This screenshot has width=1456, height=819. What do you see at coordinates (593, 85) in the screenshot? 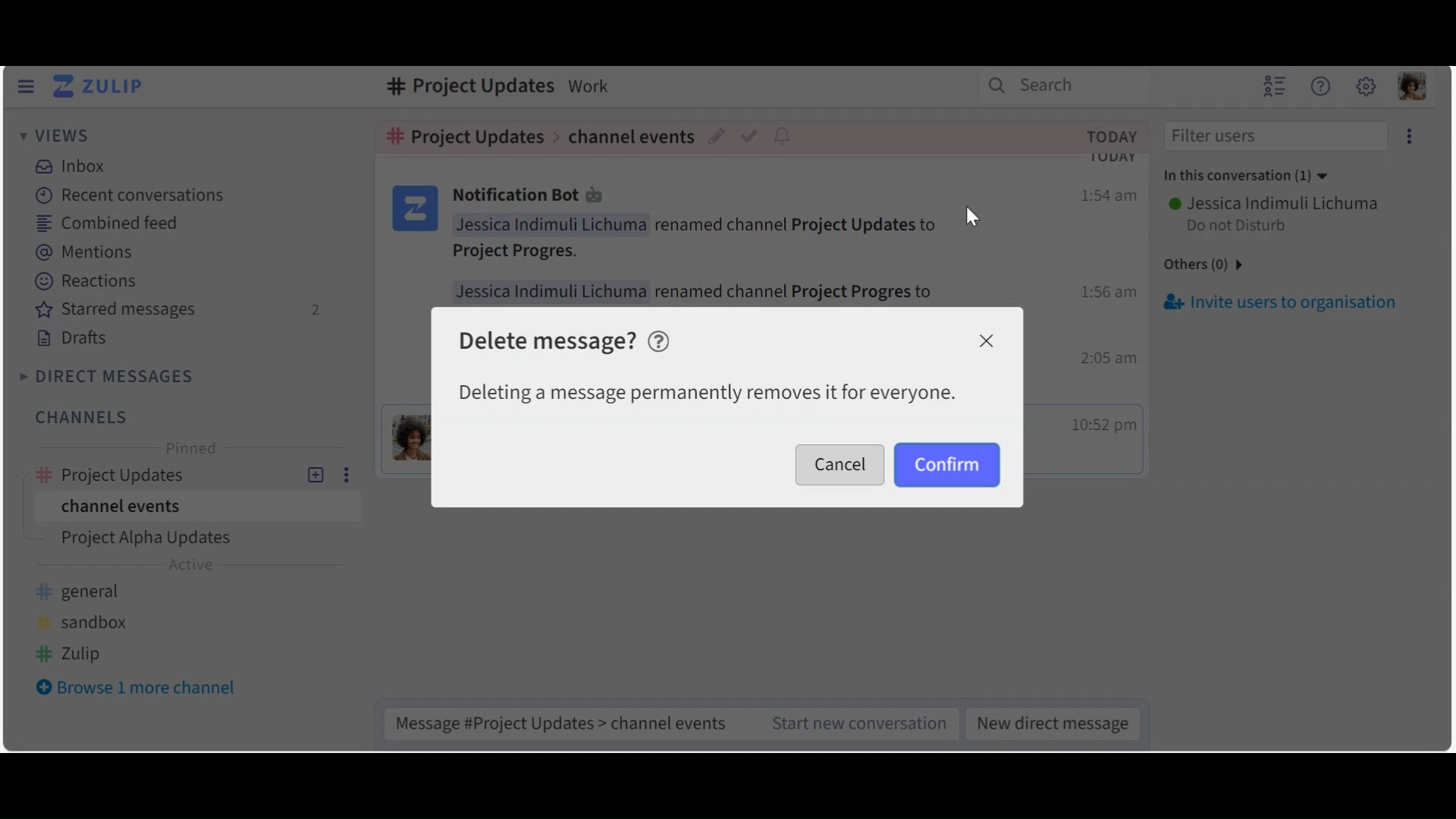
I see `Description` at bounding box center [593, 85].